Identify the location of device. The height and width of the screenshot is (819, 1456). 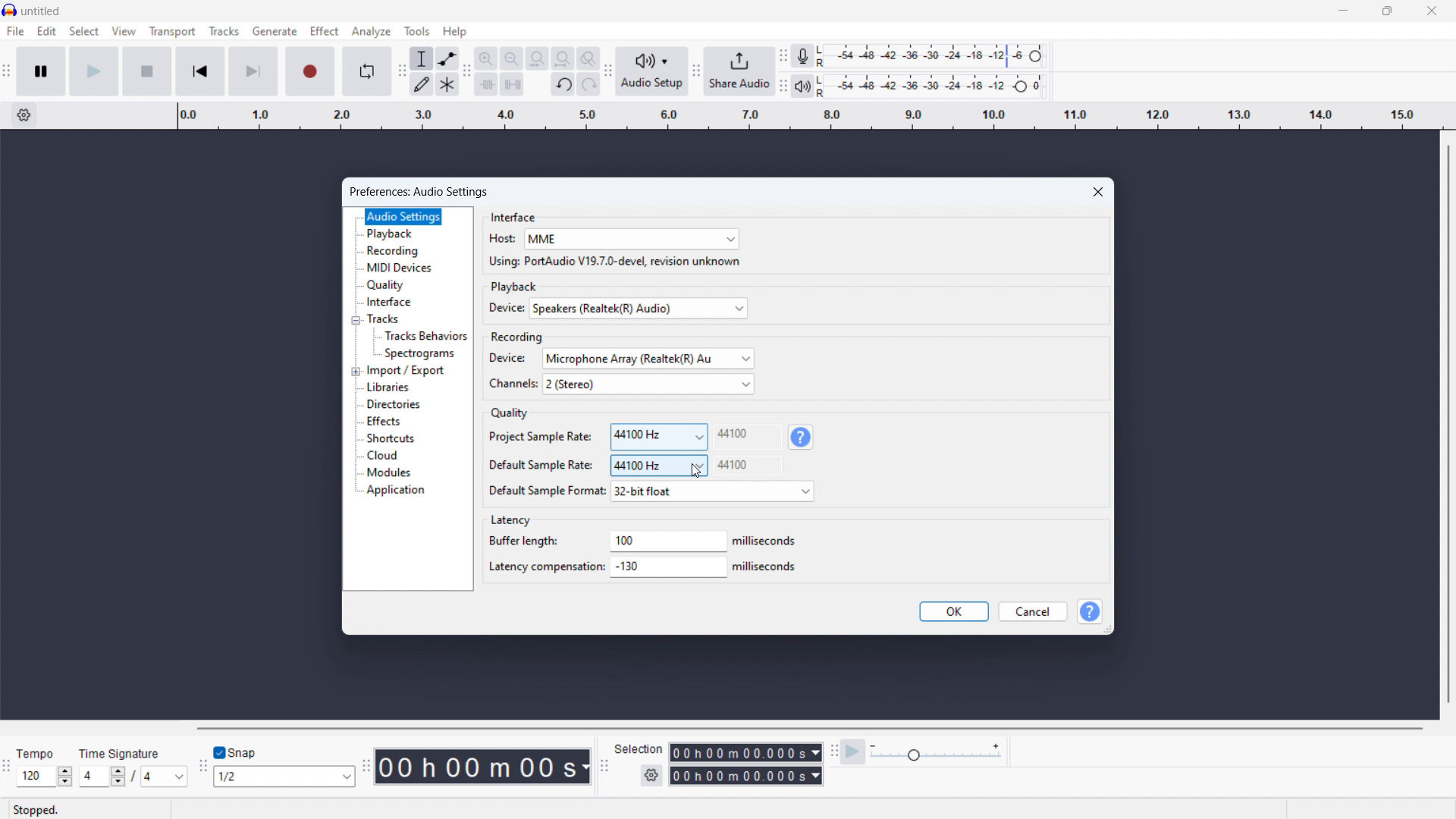
(503, 309).